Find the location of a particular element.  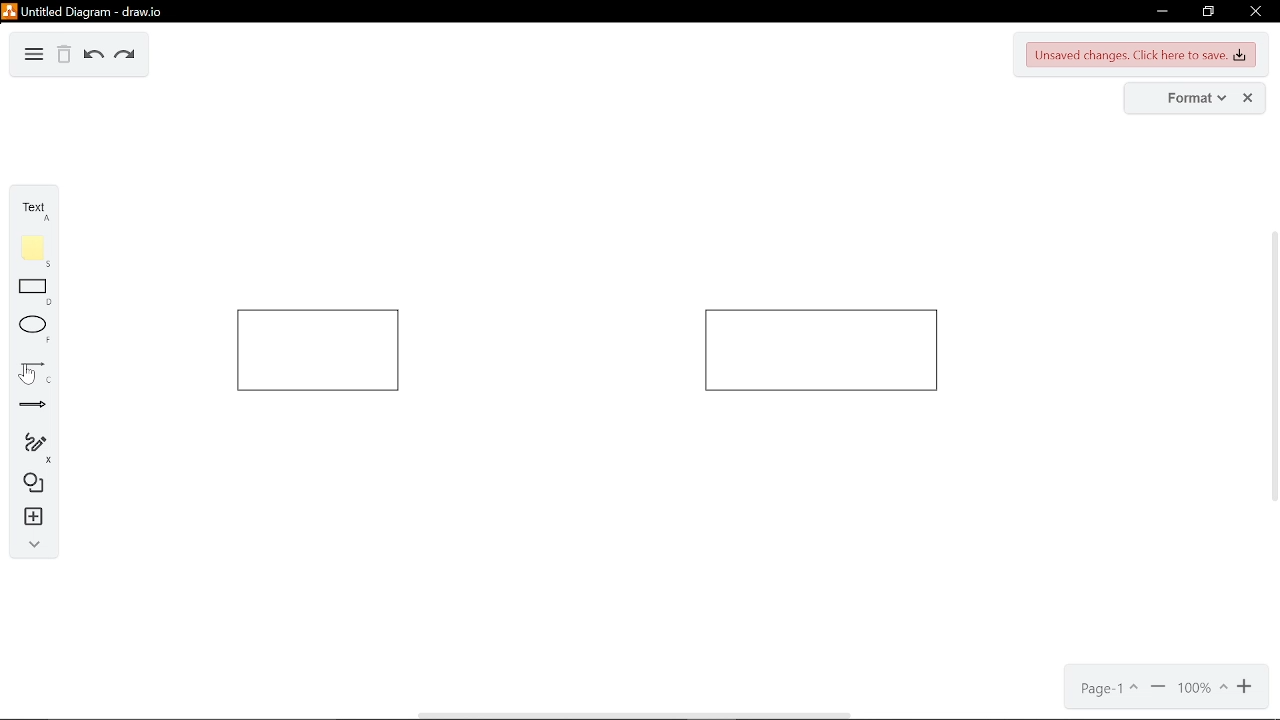

diagram is located at coordinates (34, 55).